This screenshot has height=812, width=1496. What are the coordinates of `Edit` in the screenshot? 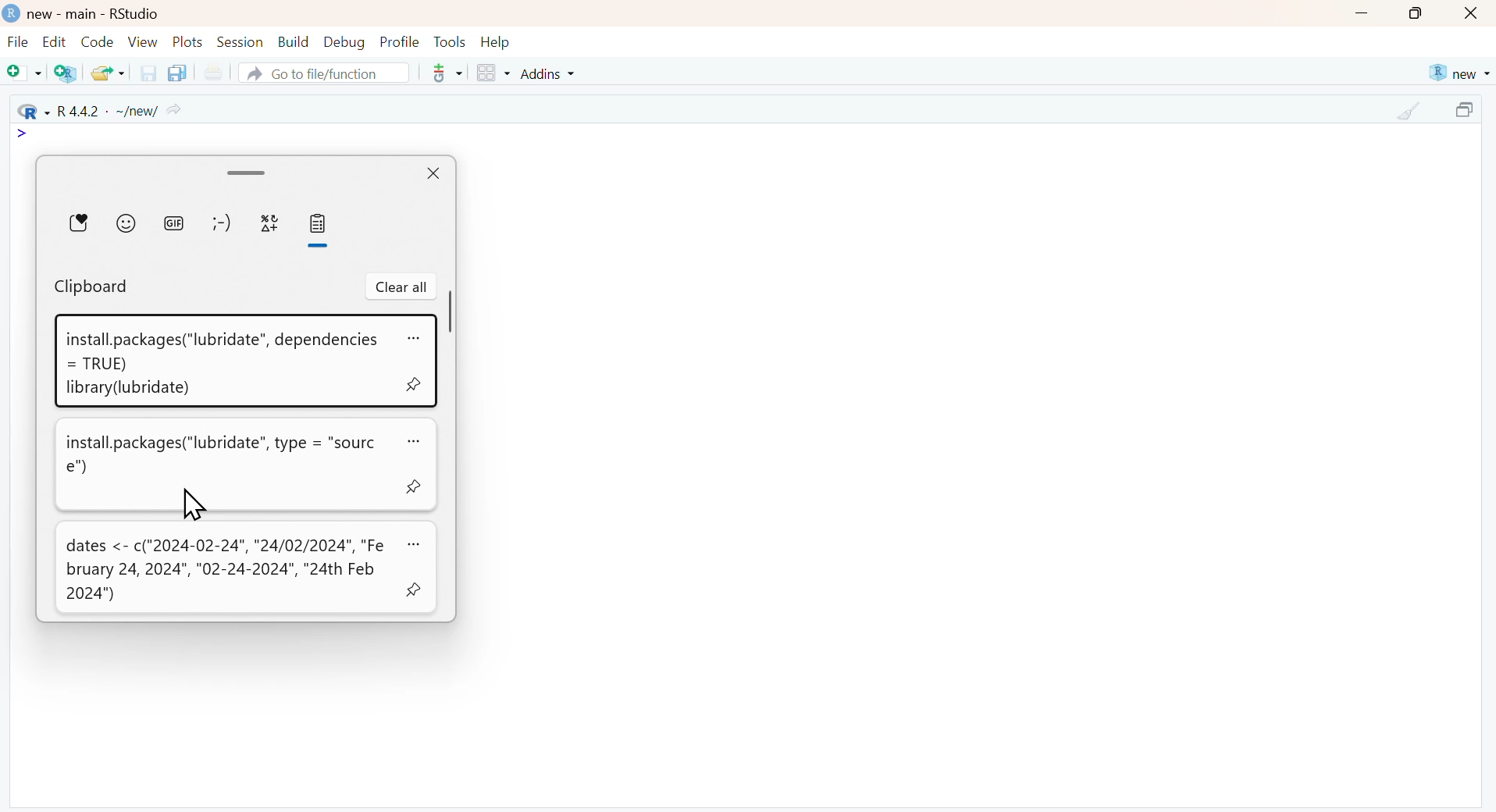 It's located at (54, 41).